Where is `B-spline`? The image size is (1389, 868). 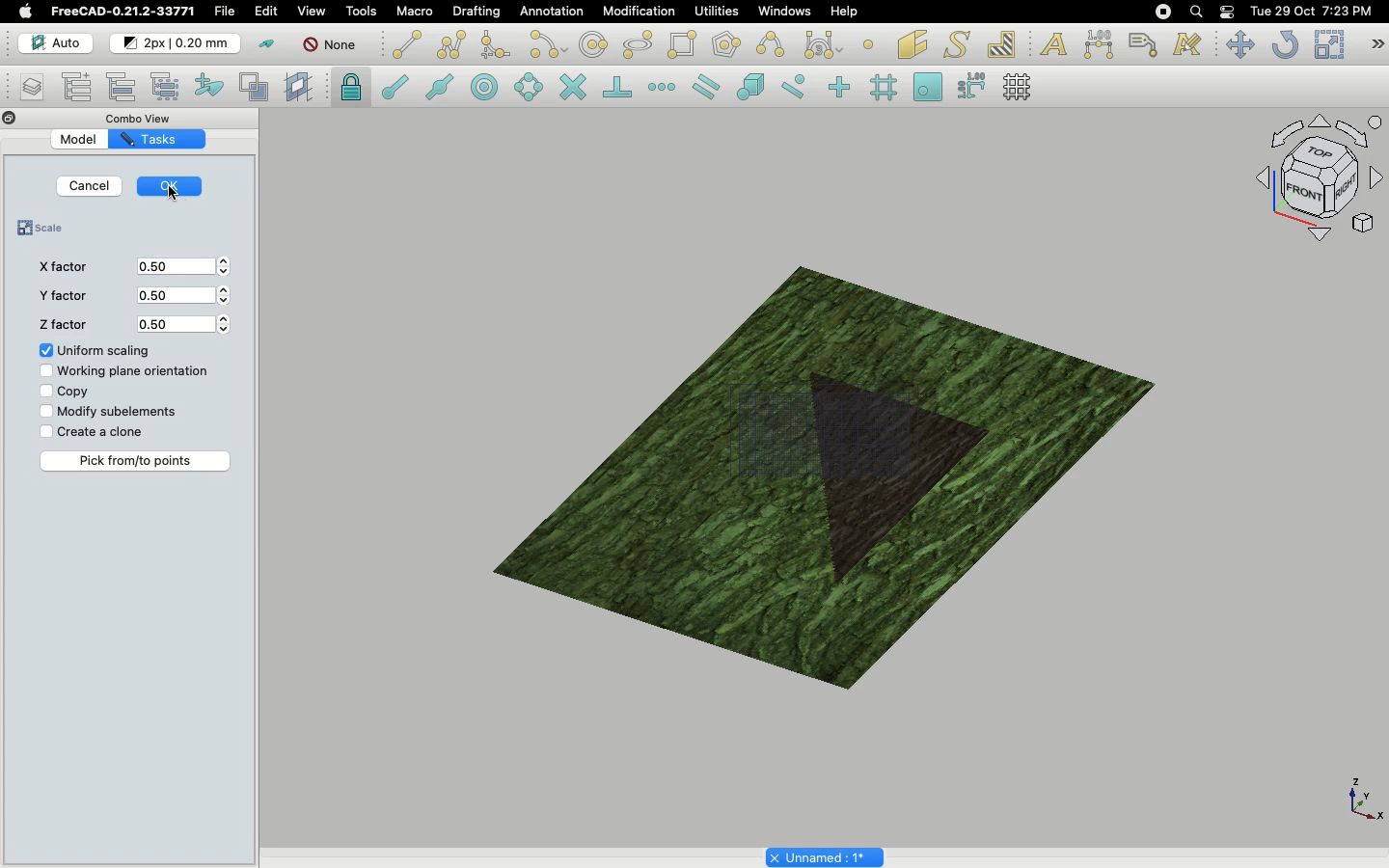 B-spline is located at coordinates (770, 44).